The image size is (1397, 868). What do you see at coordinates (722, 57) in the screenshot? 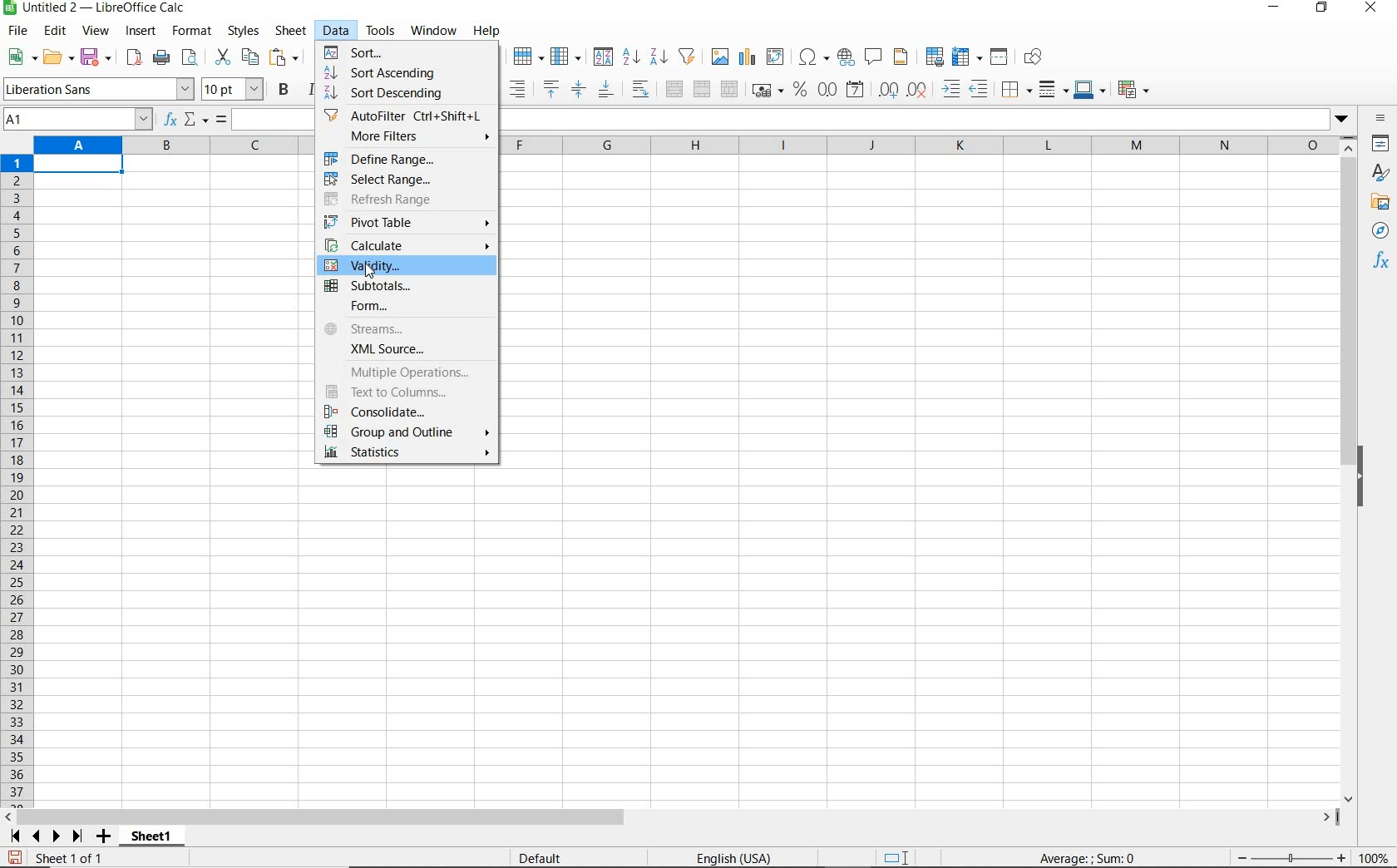
I see `insert image` at bounding box center [722, 57].